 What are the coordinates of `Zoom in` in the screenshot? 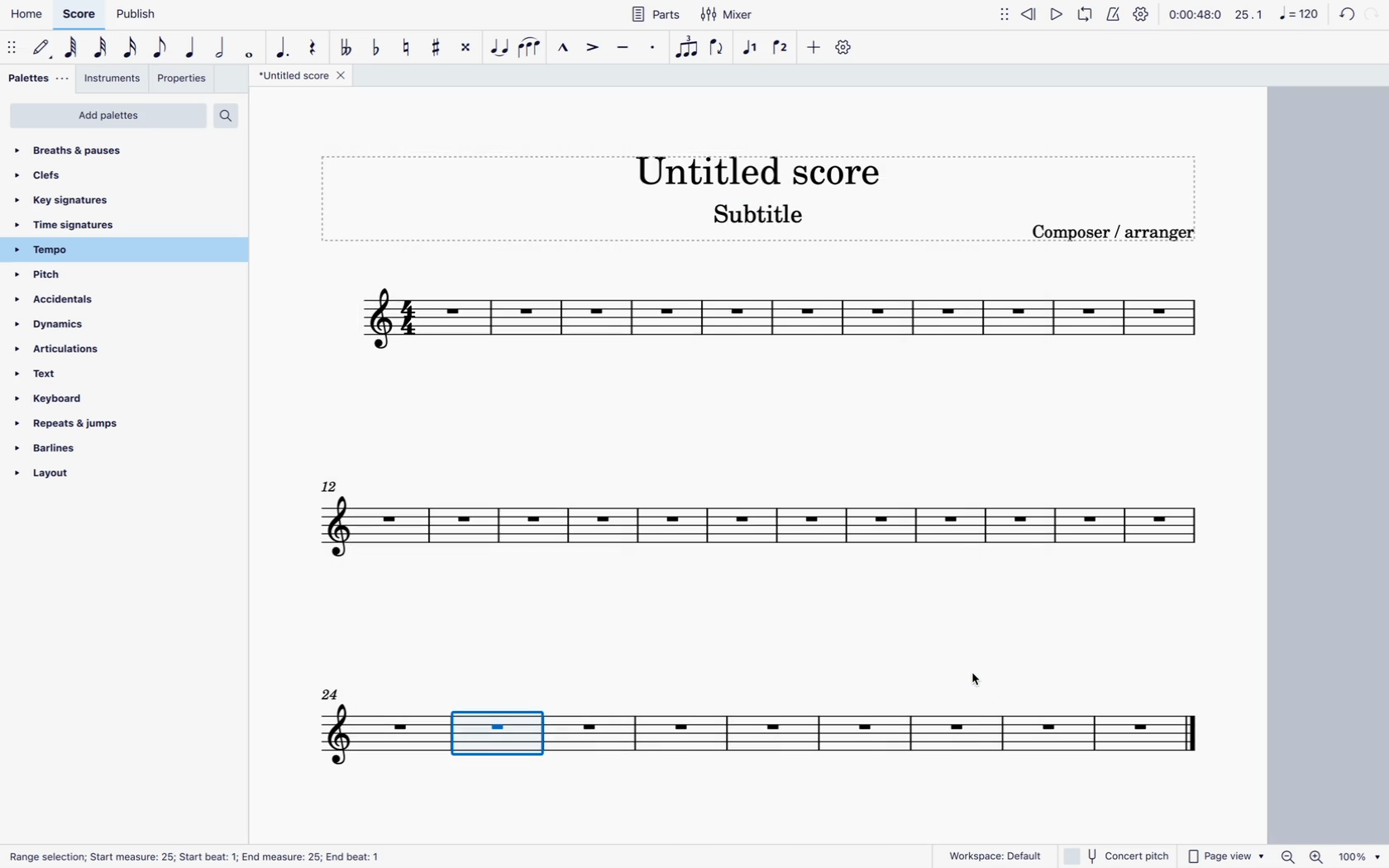 It's located at (1318, 856).